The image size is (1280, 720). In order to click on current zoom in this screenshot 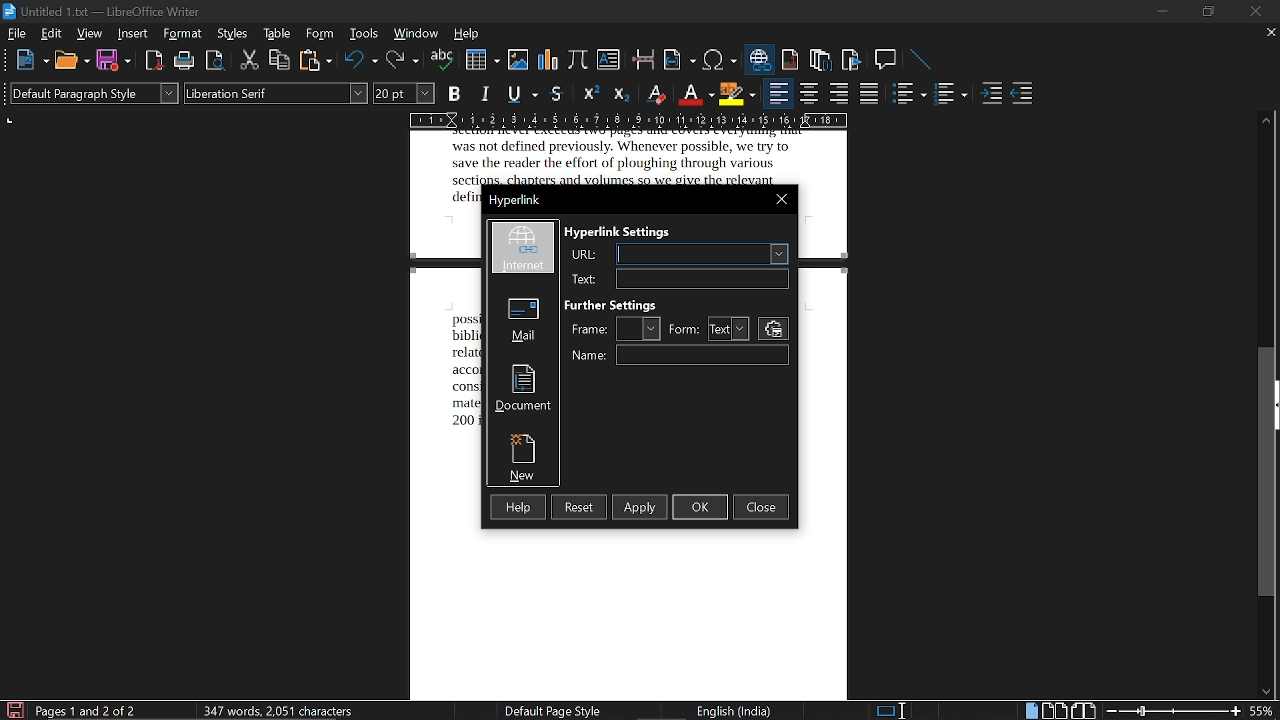, I will do `click(1265, 712)`.